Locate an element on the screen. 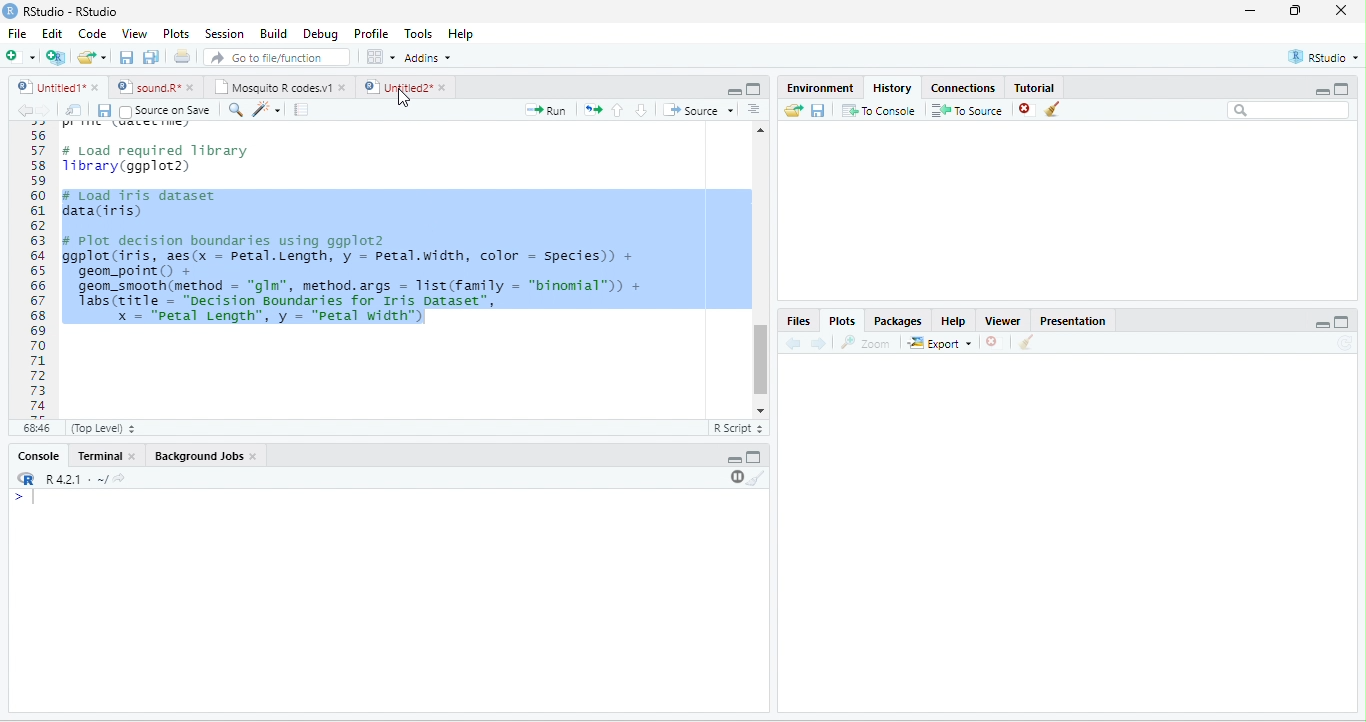  Console is located at coordinates (38, 455).